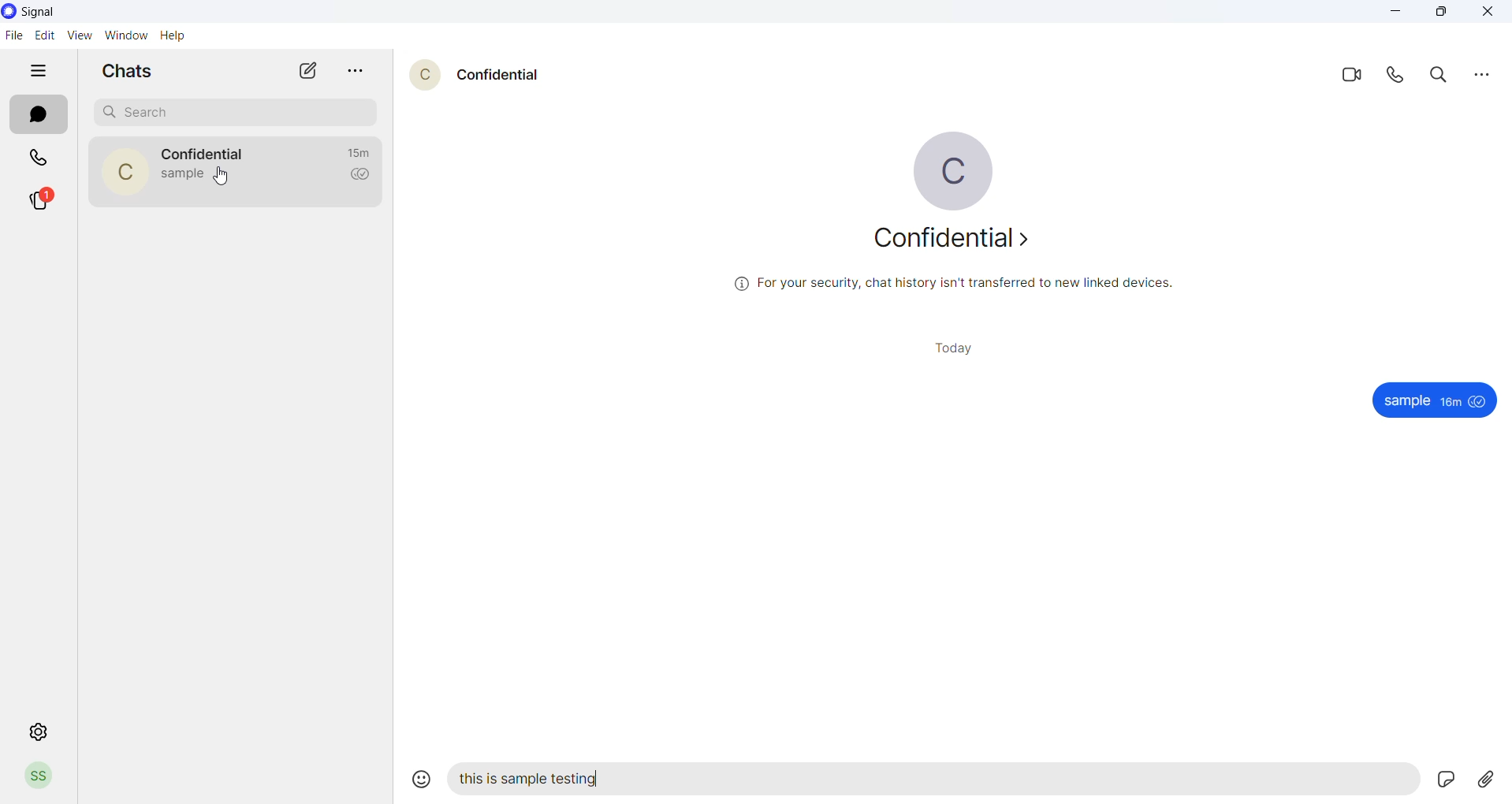 The height and width of the screenshot is (804, 1512). I want to click on 15m, so click(359, 152).